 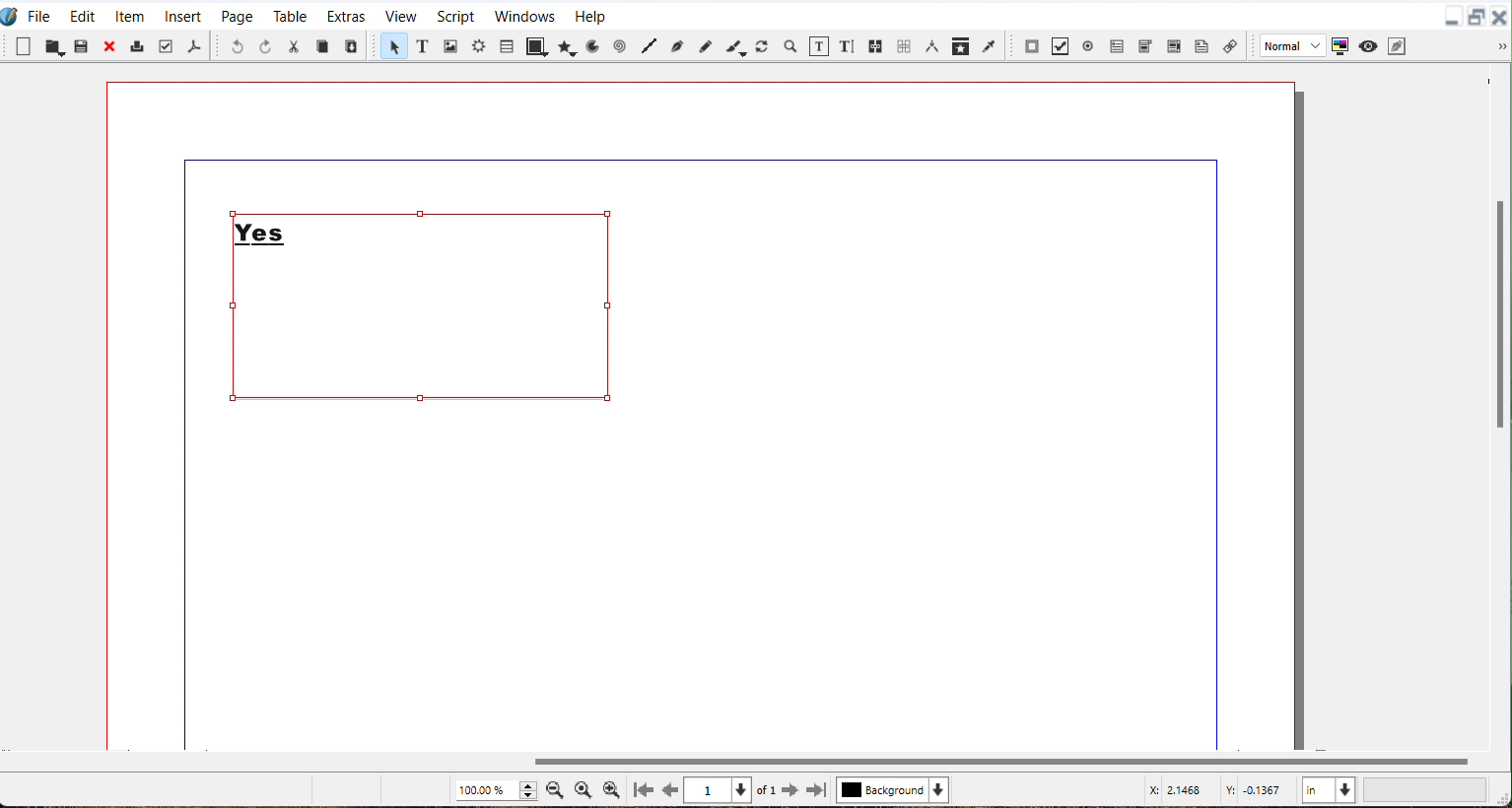 What do you see at coordinates (1340, 45) in the screenshot?
I see `Toggle color` at bounding box center [1340, 45].